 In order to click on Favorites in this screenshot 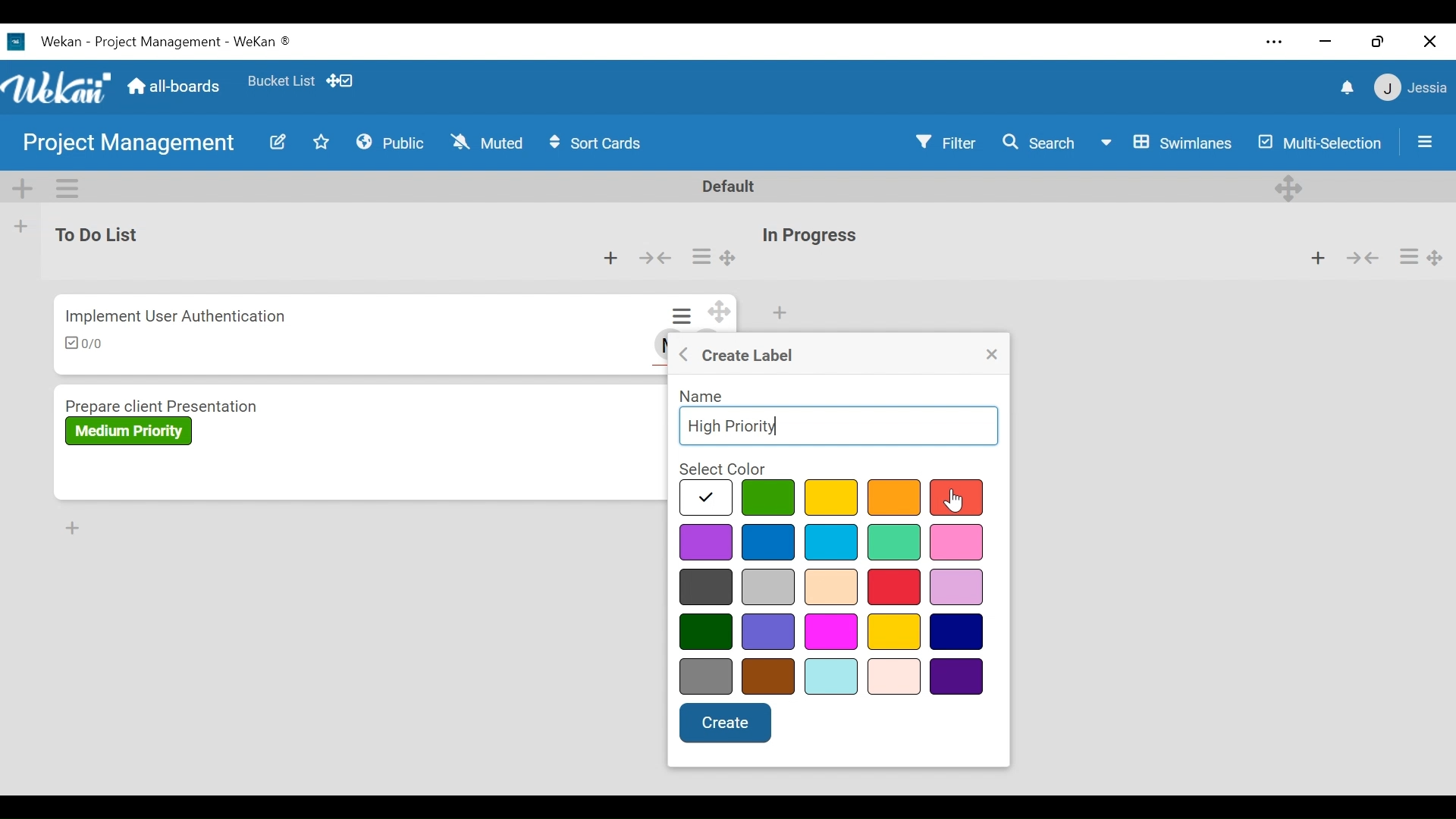, I will do `click(281, 78)`.